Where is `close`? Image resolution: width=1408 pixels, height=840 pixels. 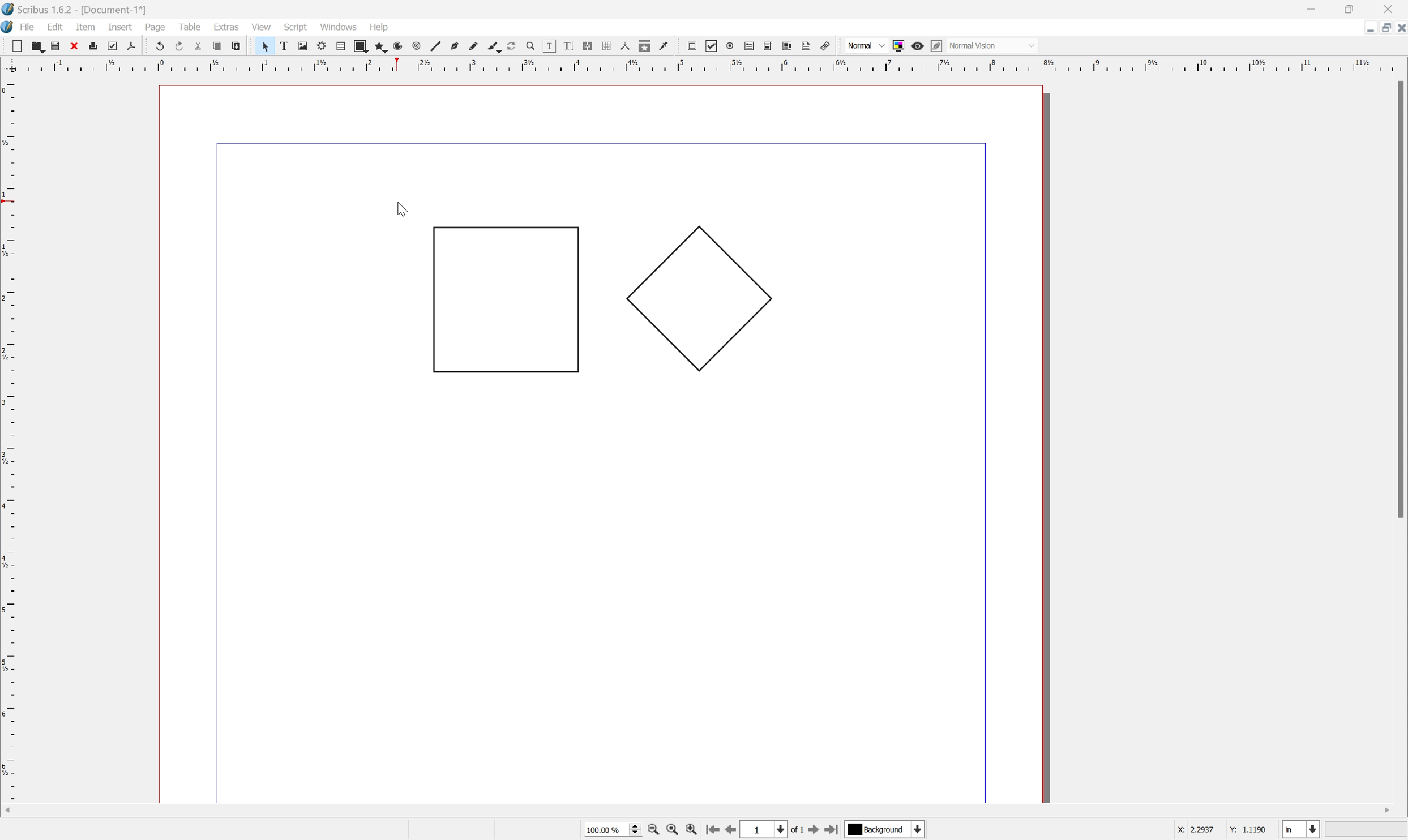
close is located at coordinates (71, 47).